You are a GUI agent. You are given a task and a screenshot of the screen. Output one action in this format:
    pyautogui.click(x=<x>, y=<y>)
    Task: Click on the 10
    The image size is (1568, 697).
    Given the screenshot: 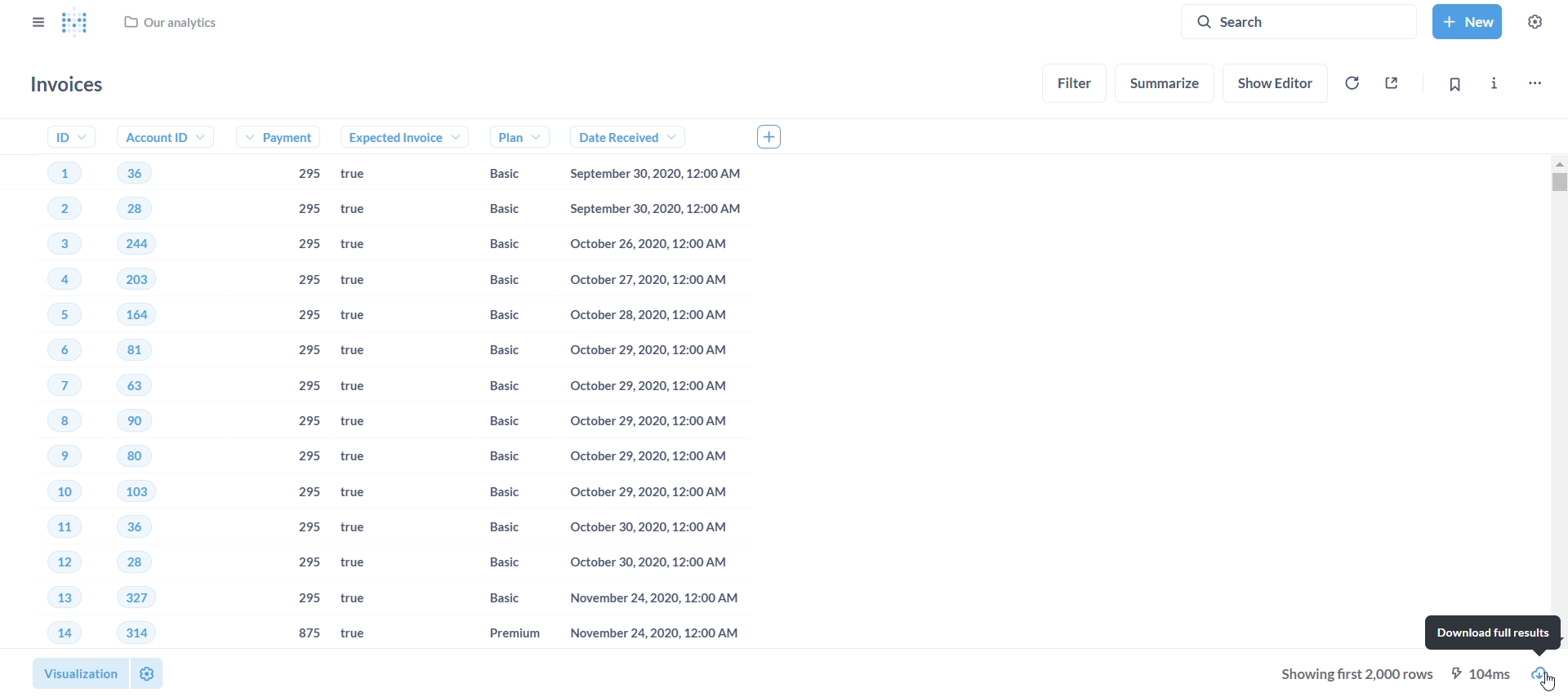 What is the action you would take?
    pyautogui.click(x=50, y=495)
    